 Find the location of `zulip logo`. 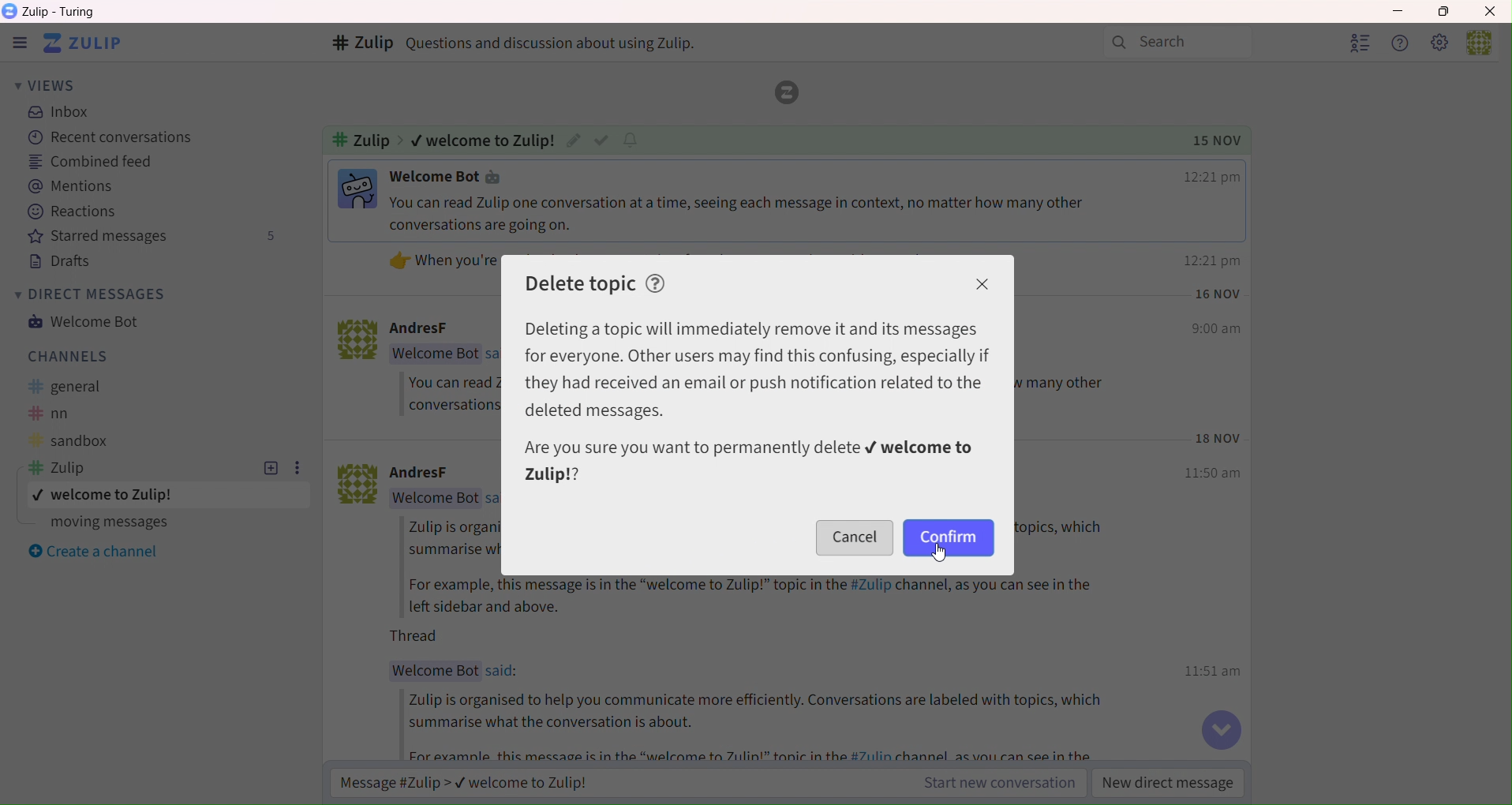

zulip logo is located at coordinates (787, 92).